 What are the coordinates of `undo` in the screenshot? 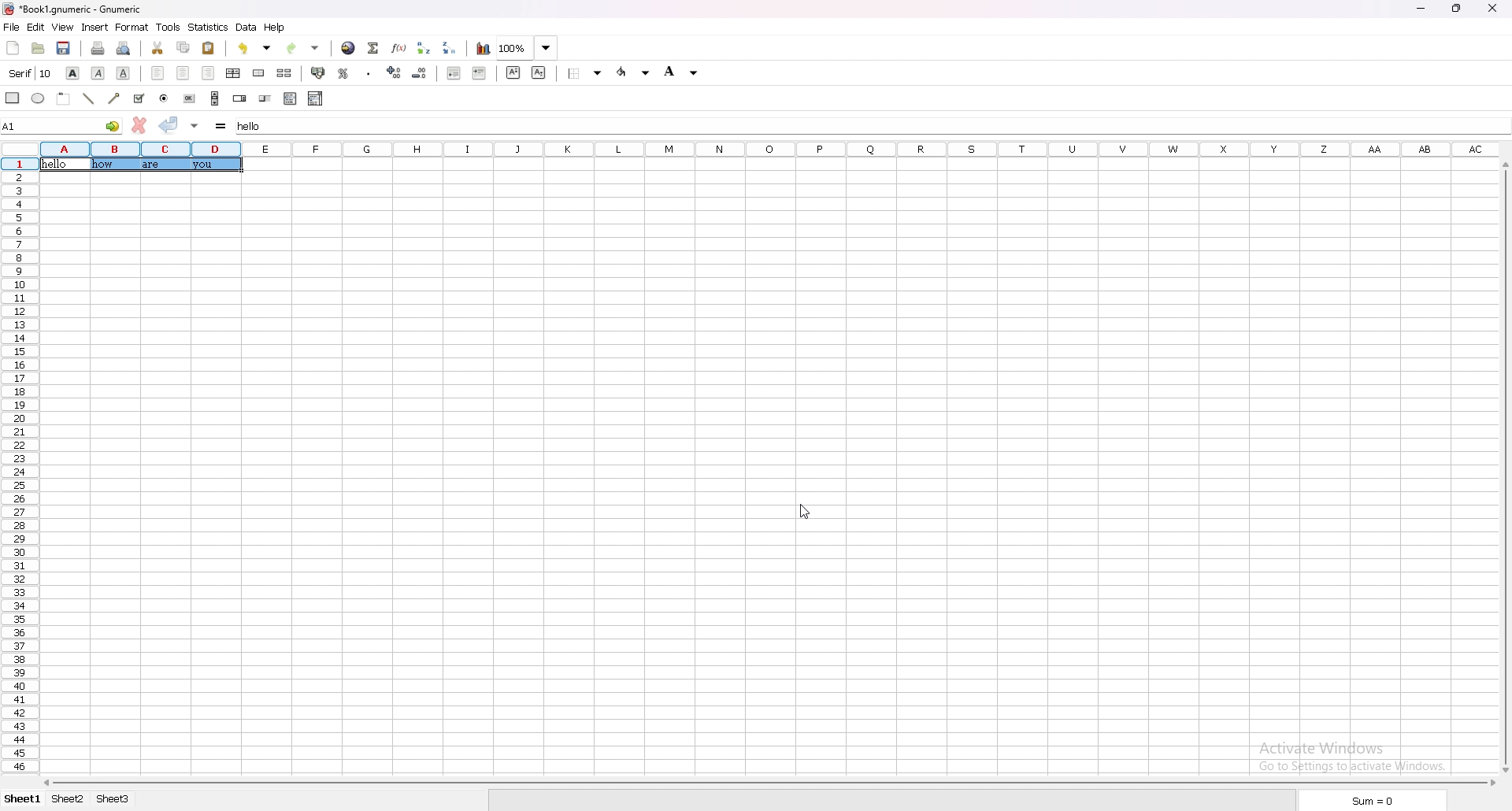 It's located at (257, 48).